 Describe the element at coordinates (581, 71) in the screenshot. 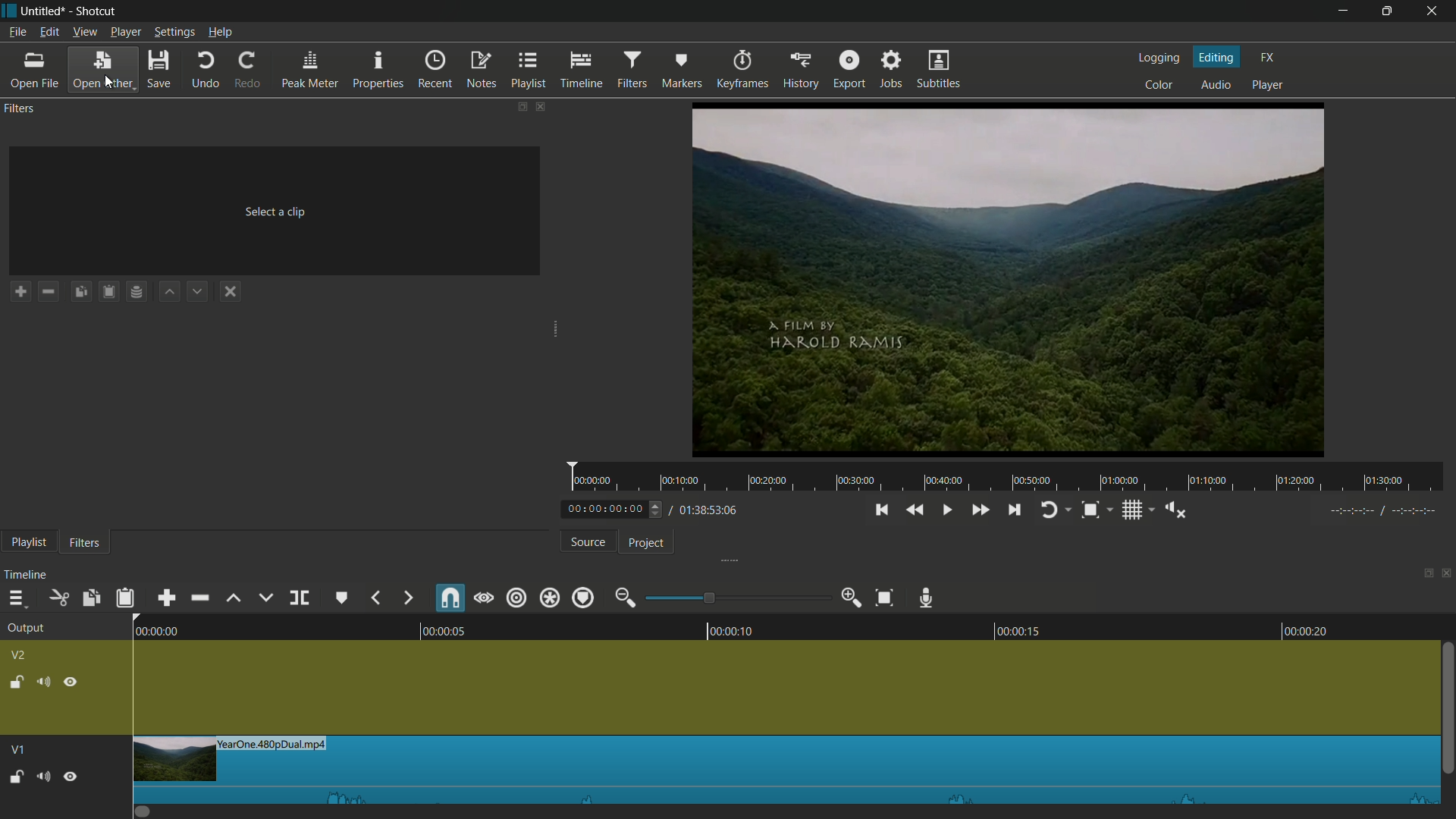

I see `timeline` at that location.